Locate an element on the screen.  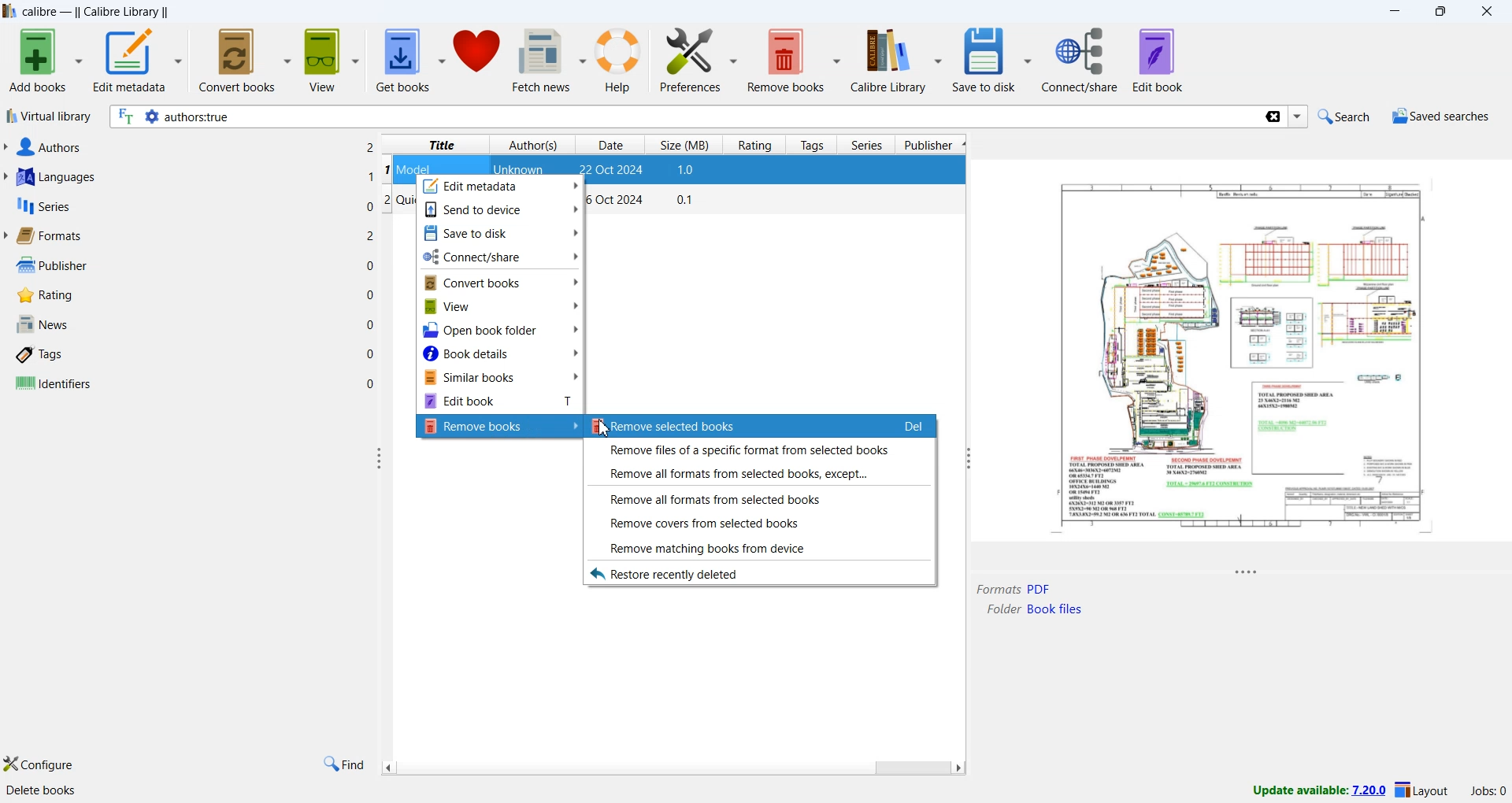
app name is located at coordinates (9, 11).